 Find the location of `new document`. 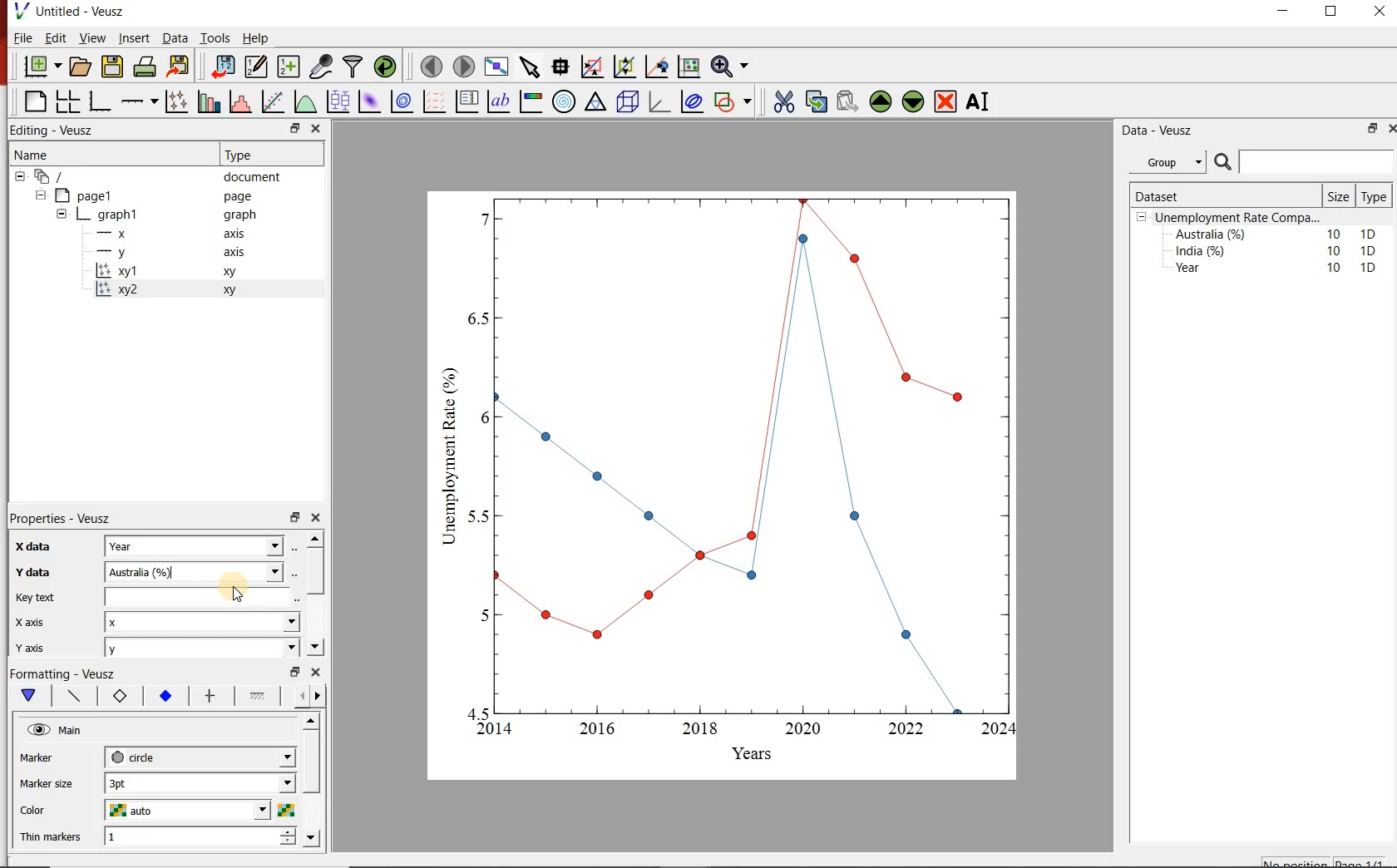

new document is located at coordinates (43, 66).